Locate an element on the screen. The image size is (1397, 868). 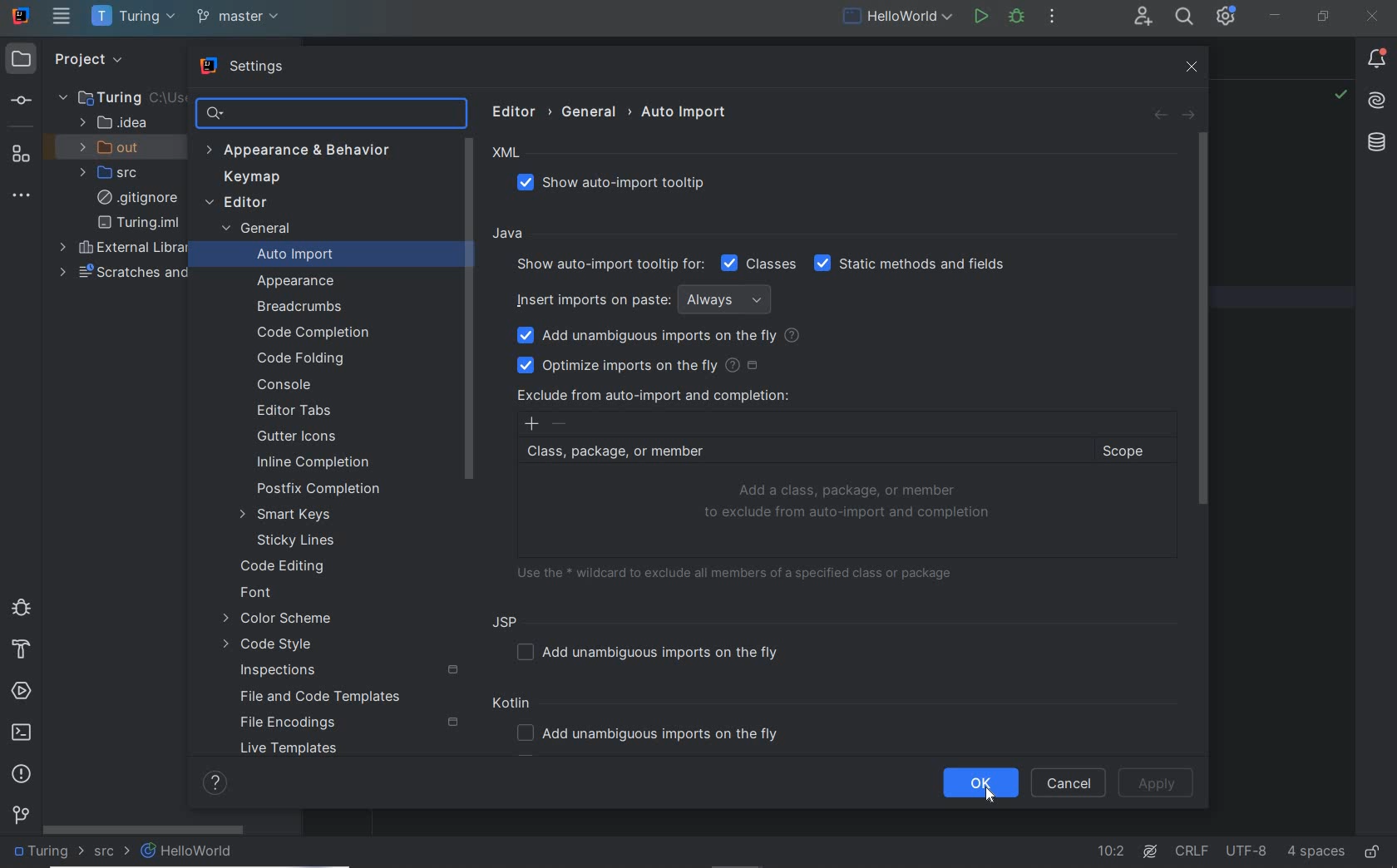
Turing(project folder) is located at coordinates (109, 96).